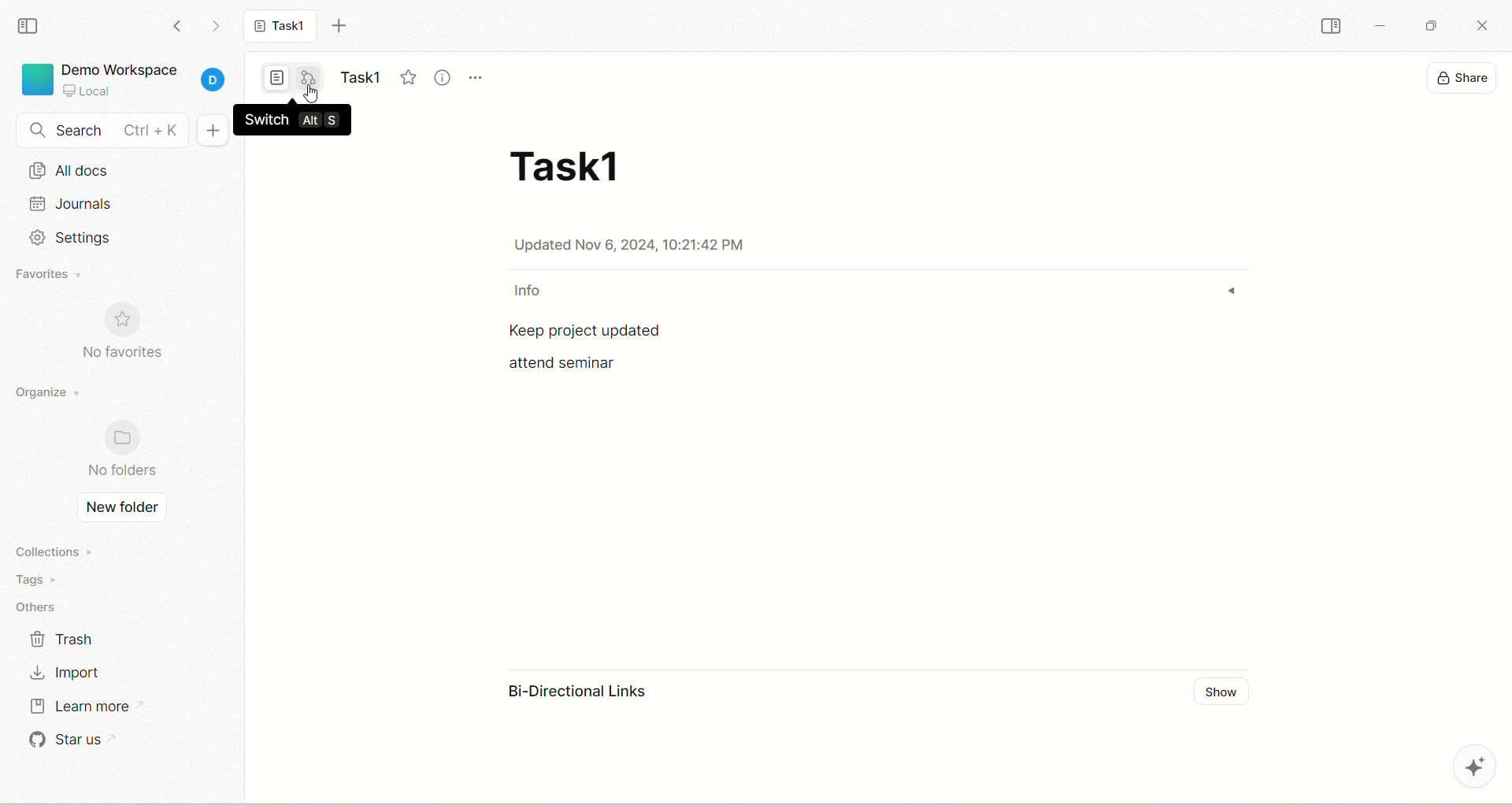 The image size is (1512, 805). I want to click on others, so click(42, 604).